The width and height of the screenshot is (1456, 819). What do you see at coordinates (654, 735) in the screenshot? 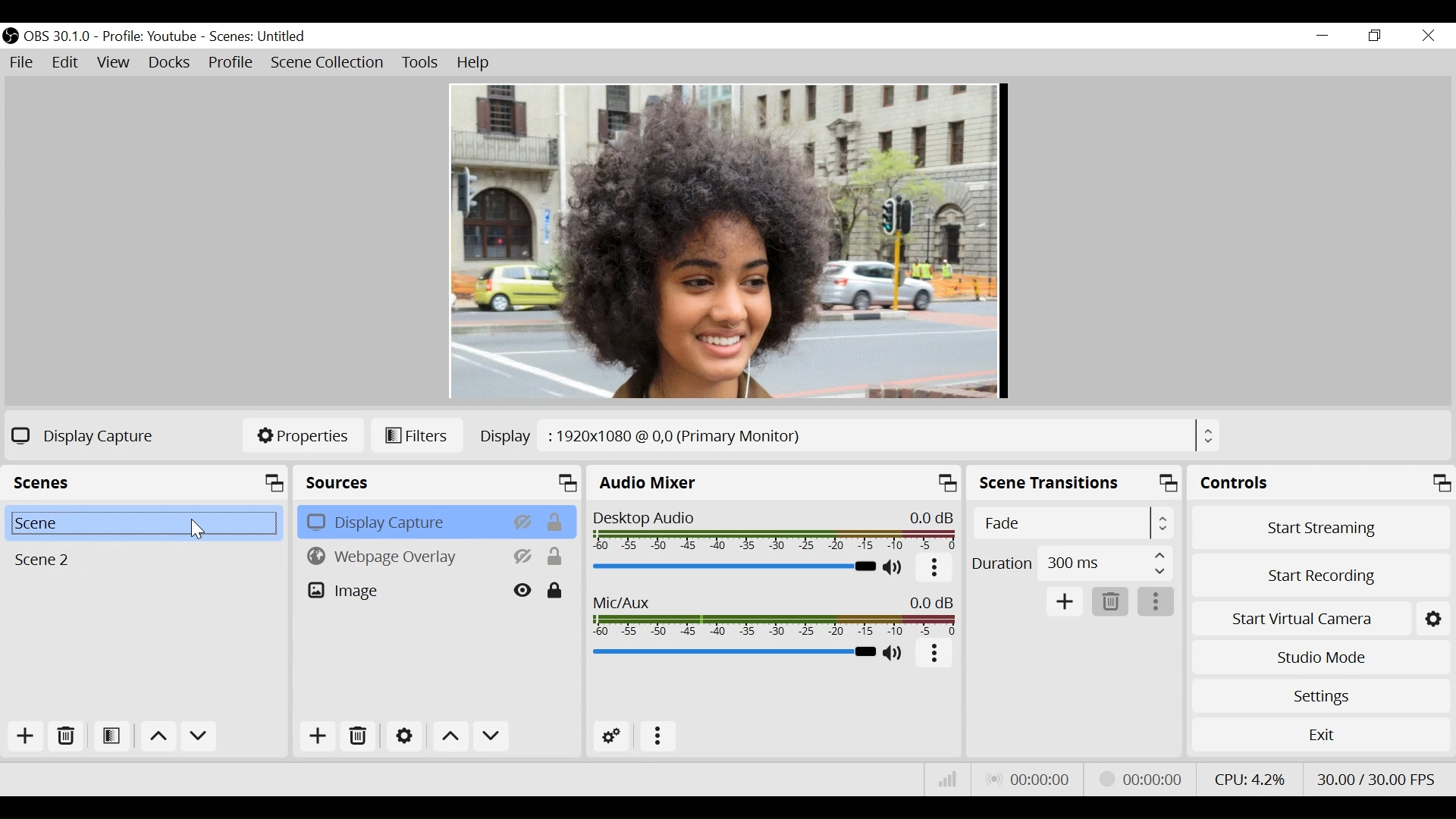
I see `more options` at bounding box center [654, 735].